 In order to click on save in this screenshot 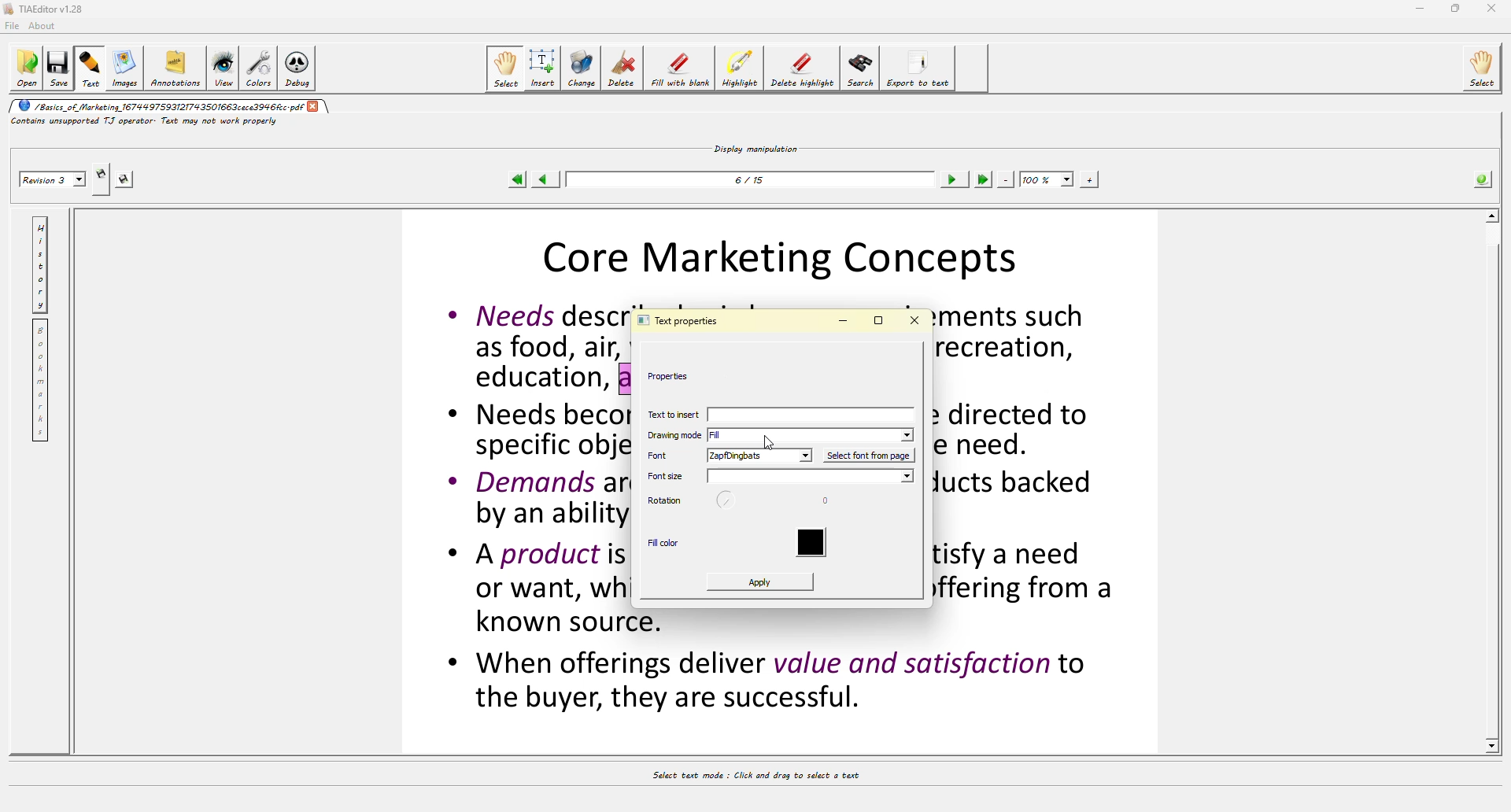, I will do `click(57, 68)`.